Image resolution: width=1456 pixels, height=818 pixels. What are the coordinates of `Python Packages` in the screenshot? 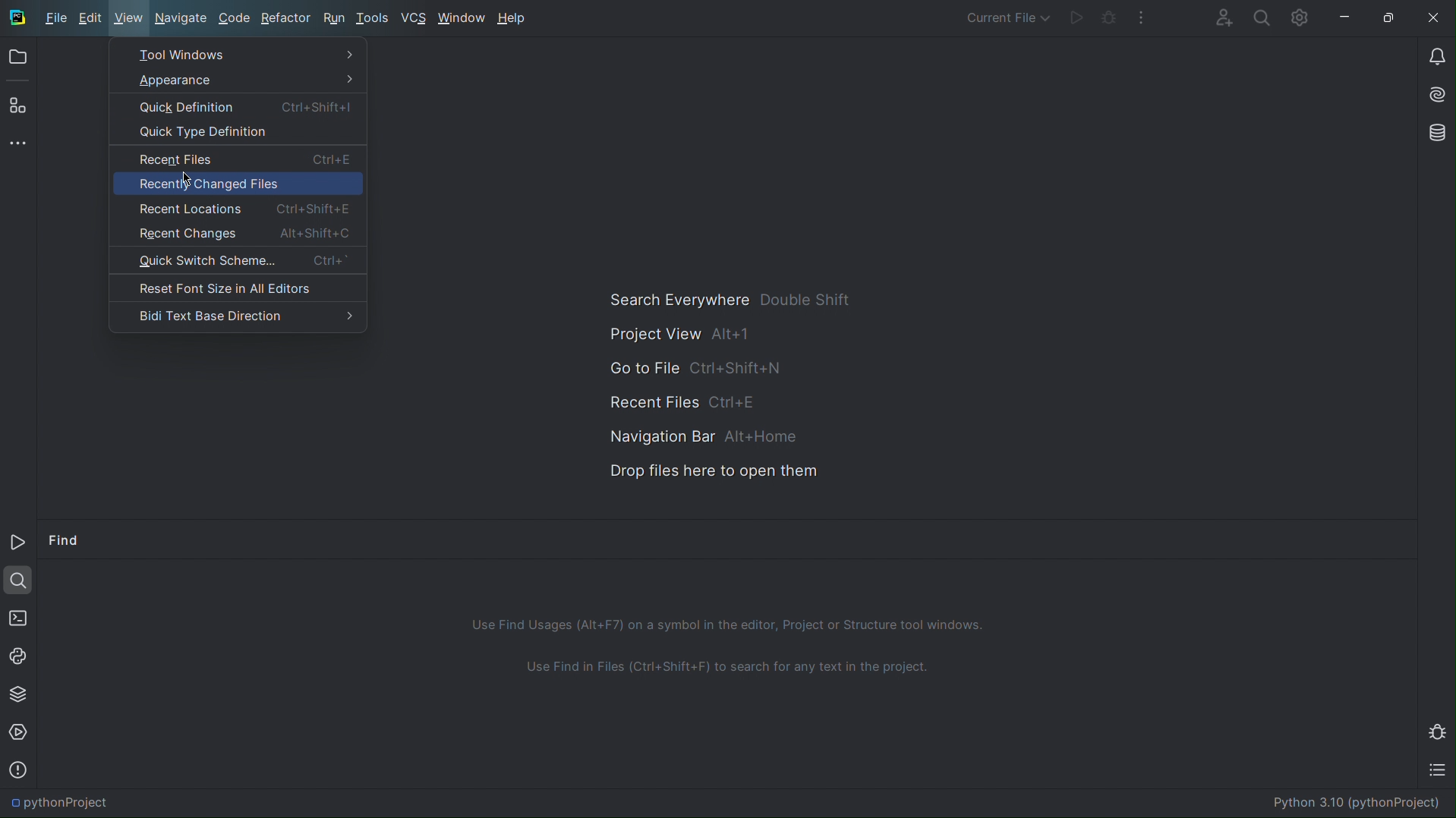 It's located at (17, 693).